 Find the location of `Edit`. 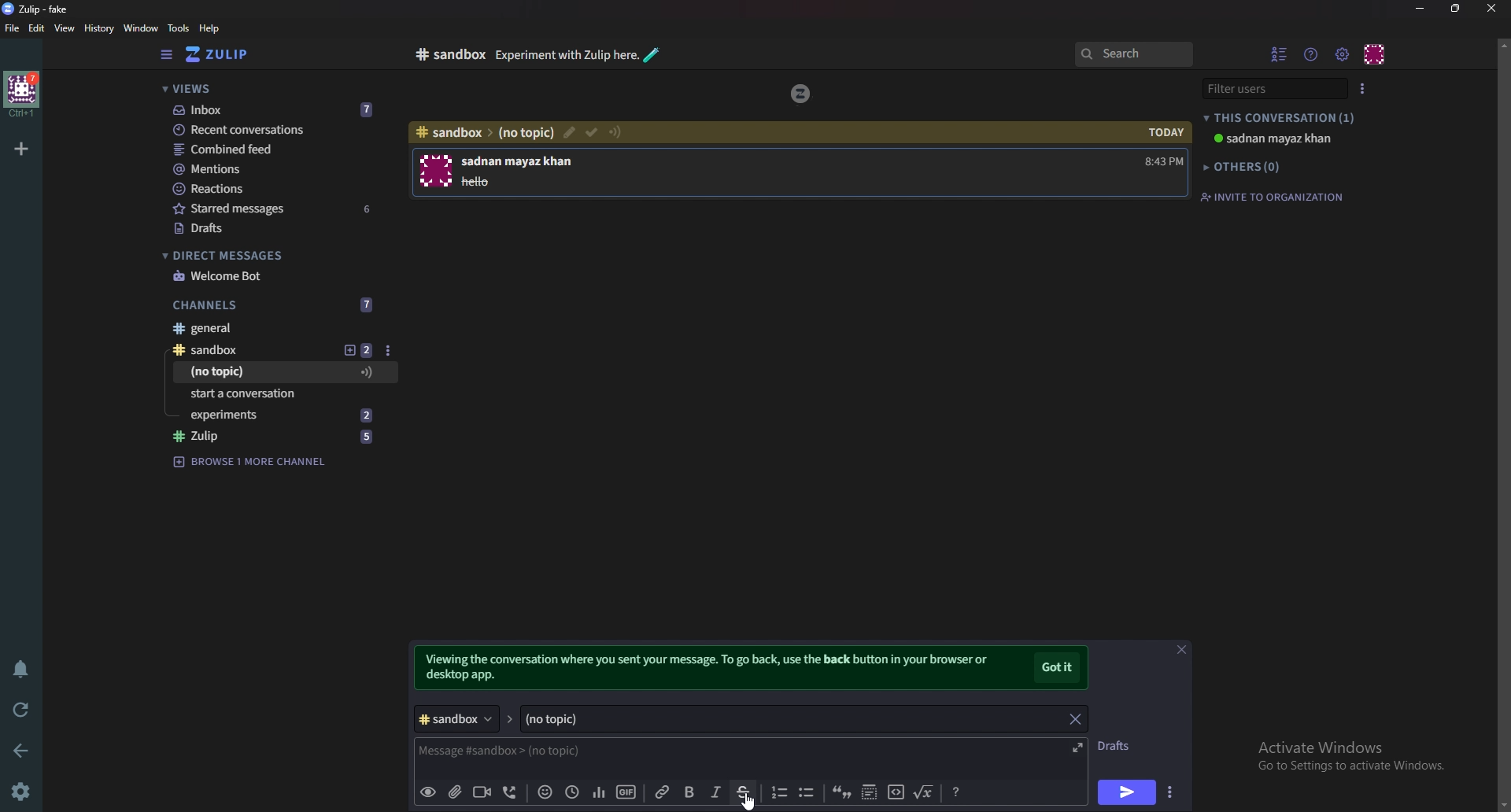

Edit is located at coordinates (39, 28).